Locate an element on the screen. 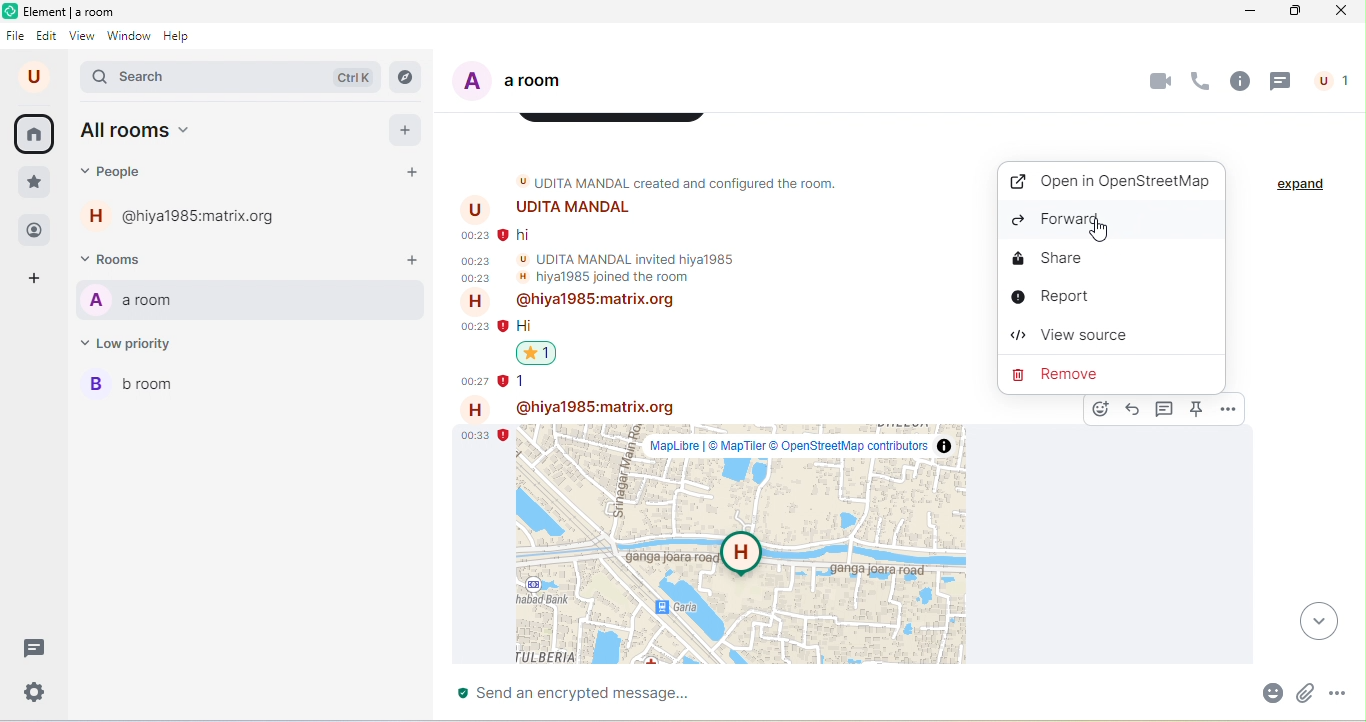 The image size is (1366, 722). Udita Mandal invited hiya1985 is located at coordinates (627, 259).